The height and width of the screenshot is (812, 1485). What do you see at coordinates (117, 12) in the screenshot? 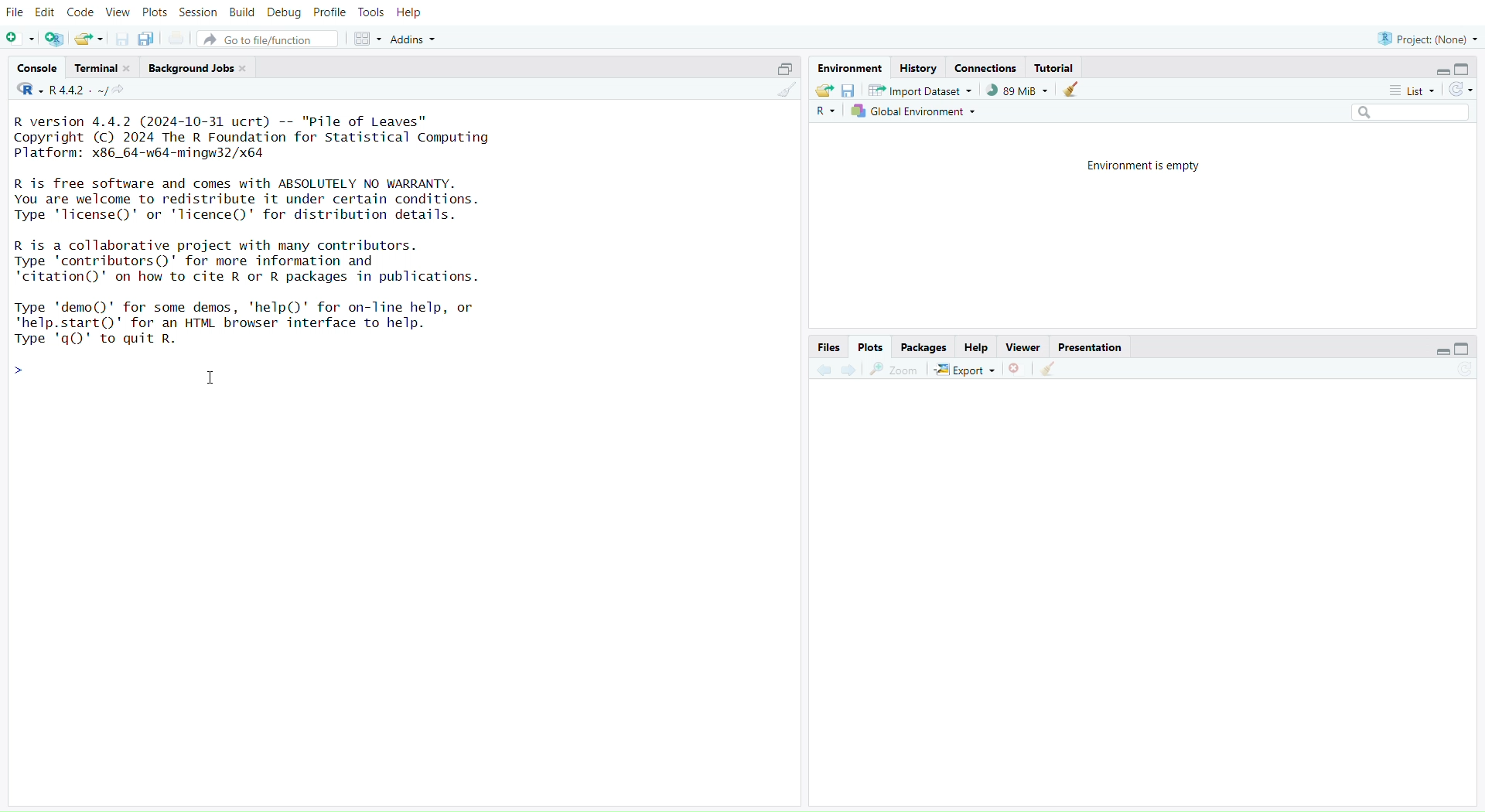
I see `View` at bounding box center [117, 12].